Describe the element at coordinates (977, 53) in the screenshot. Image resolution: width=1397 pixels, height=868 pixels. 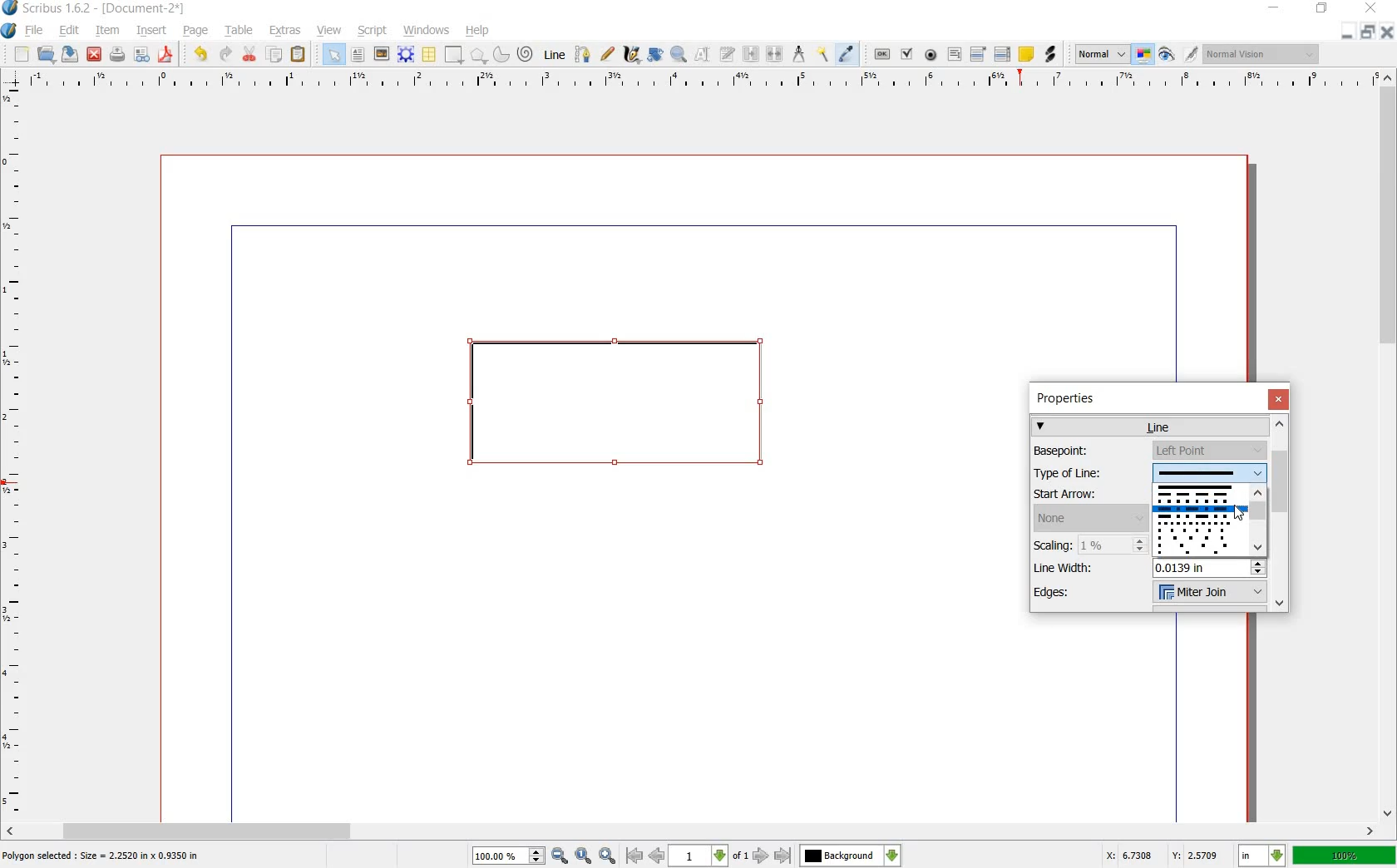
I see `PDF COMBO BOX` at that location.